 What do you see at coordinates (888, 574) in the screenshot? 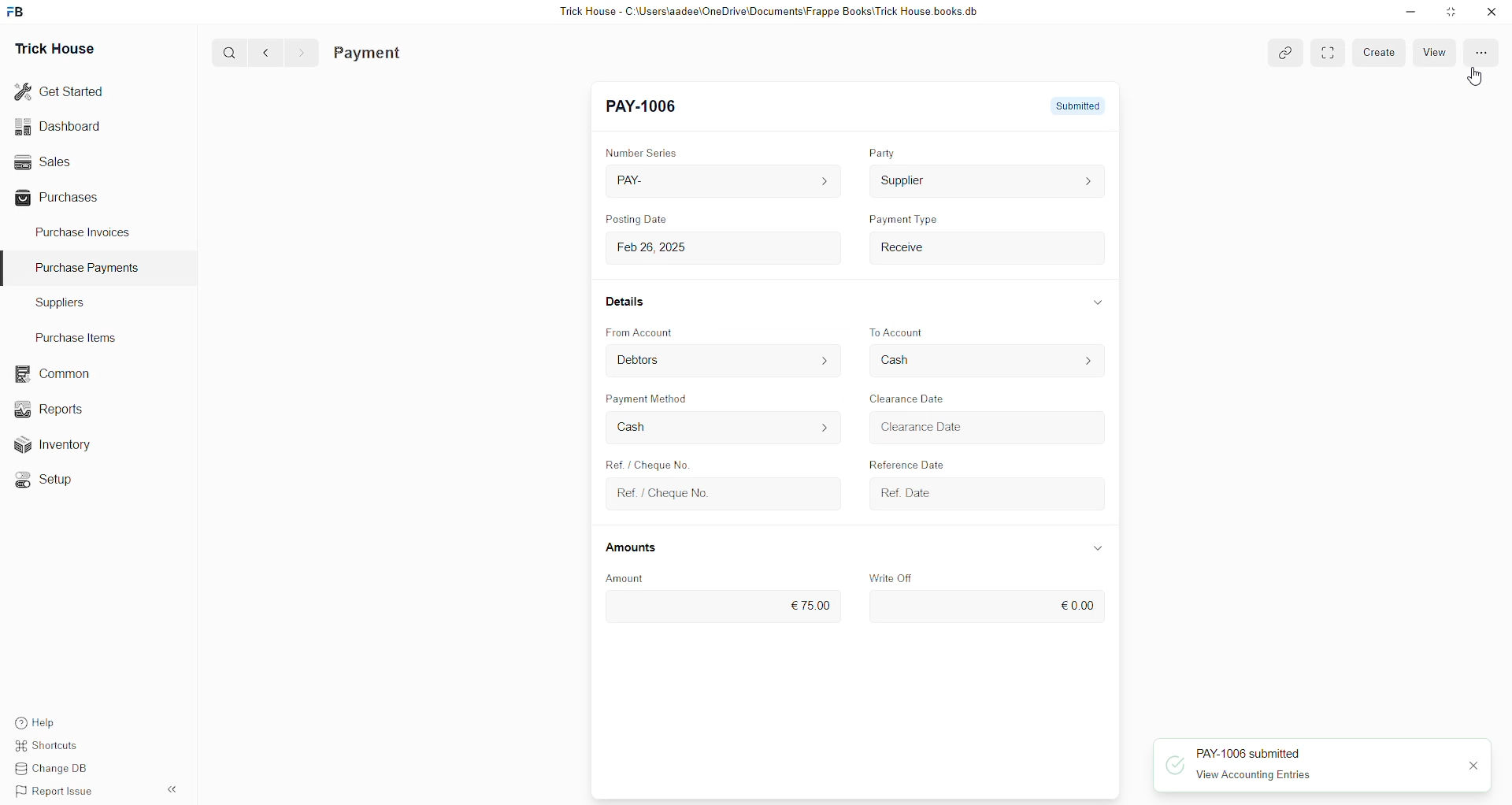
I see `Write Off` at bounding box center [888, 574].